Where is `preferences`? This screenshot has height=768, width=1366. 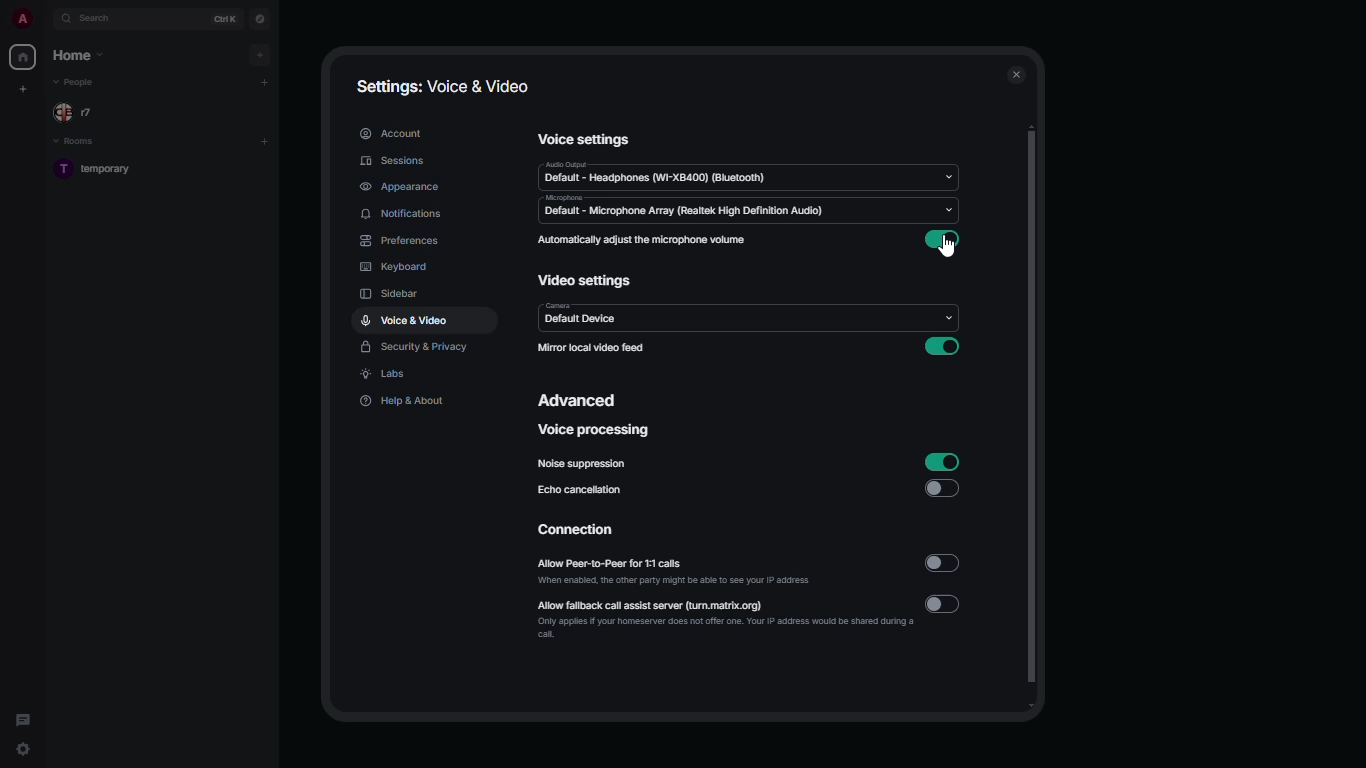 preferences is located at coordinates (400, 242).